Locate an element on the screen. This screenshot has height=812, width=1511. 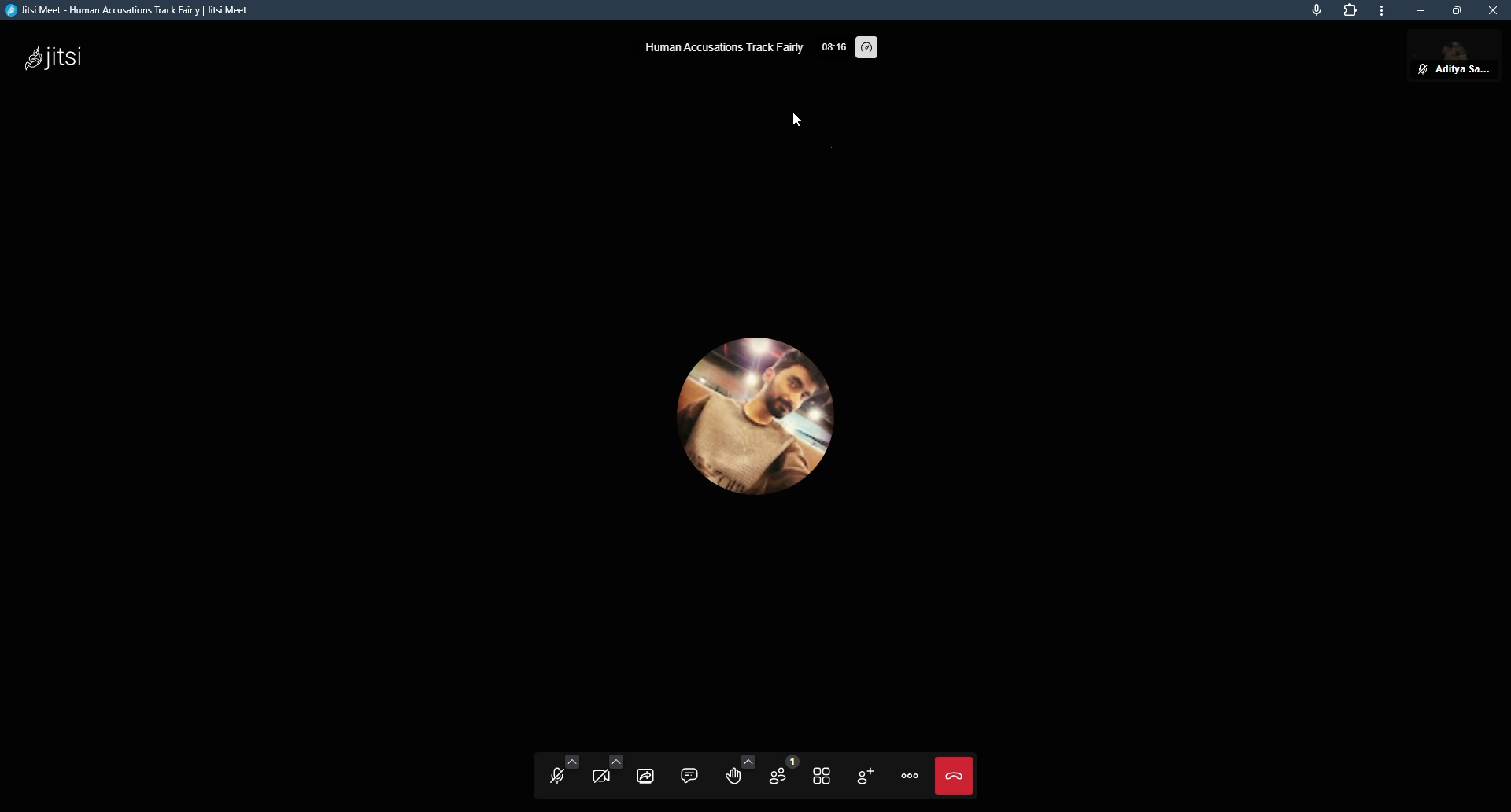
elapsed time is located at coordinates (833, 46).